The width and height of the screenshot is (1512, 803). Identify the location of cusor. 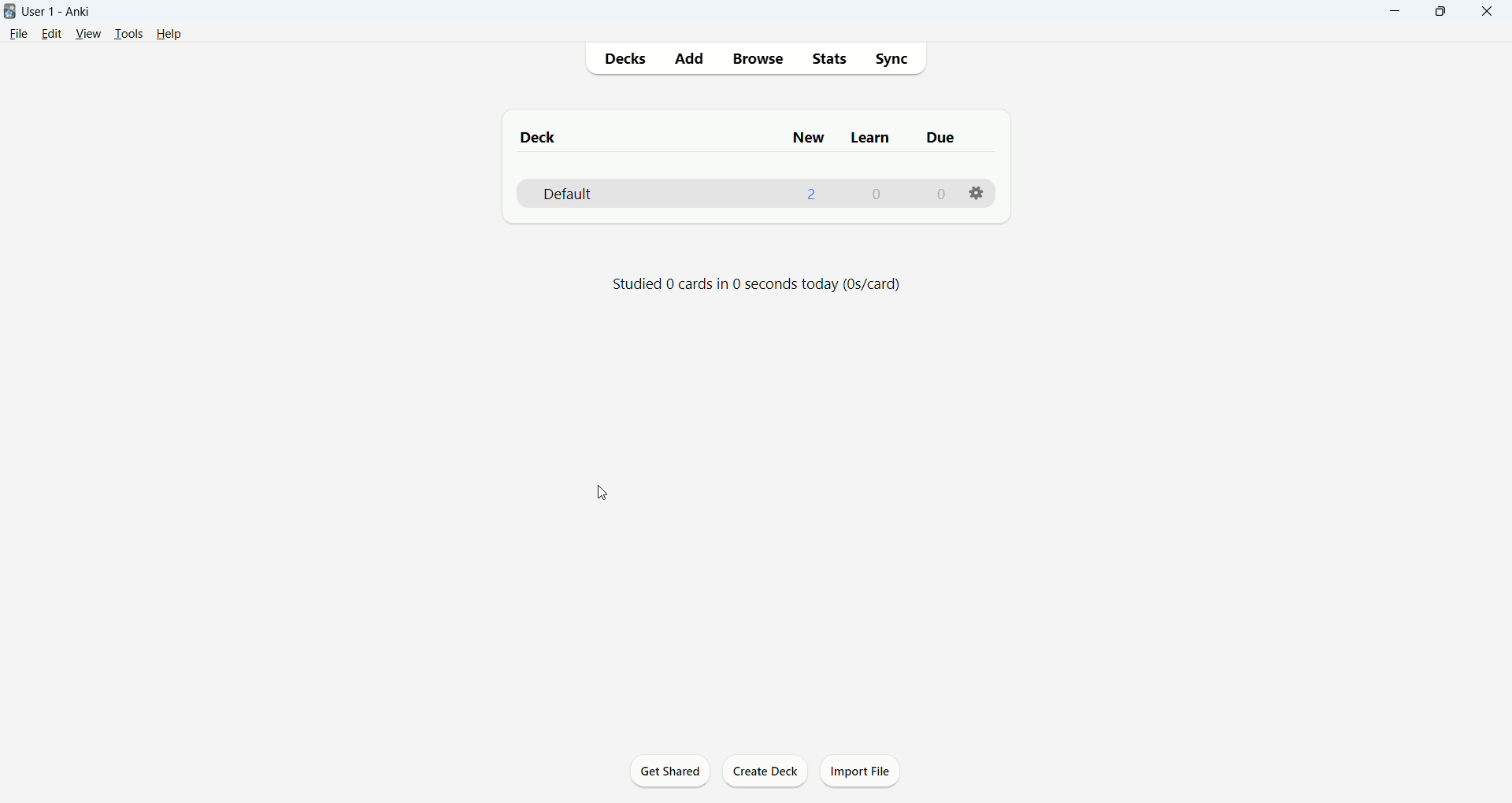
(603, 495).